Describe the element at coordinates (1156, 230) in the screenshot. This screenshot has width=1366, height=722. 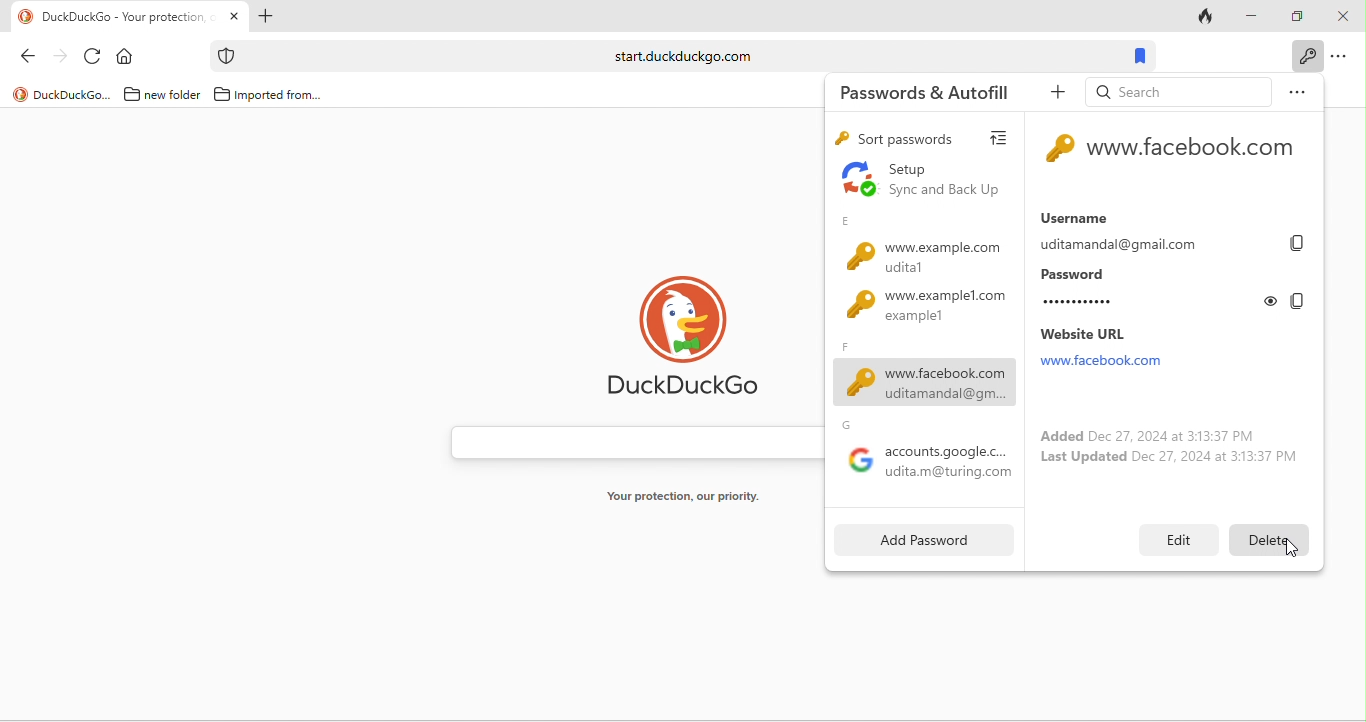
I see `username` at that location.